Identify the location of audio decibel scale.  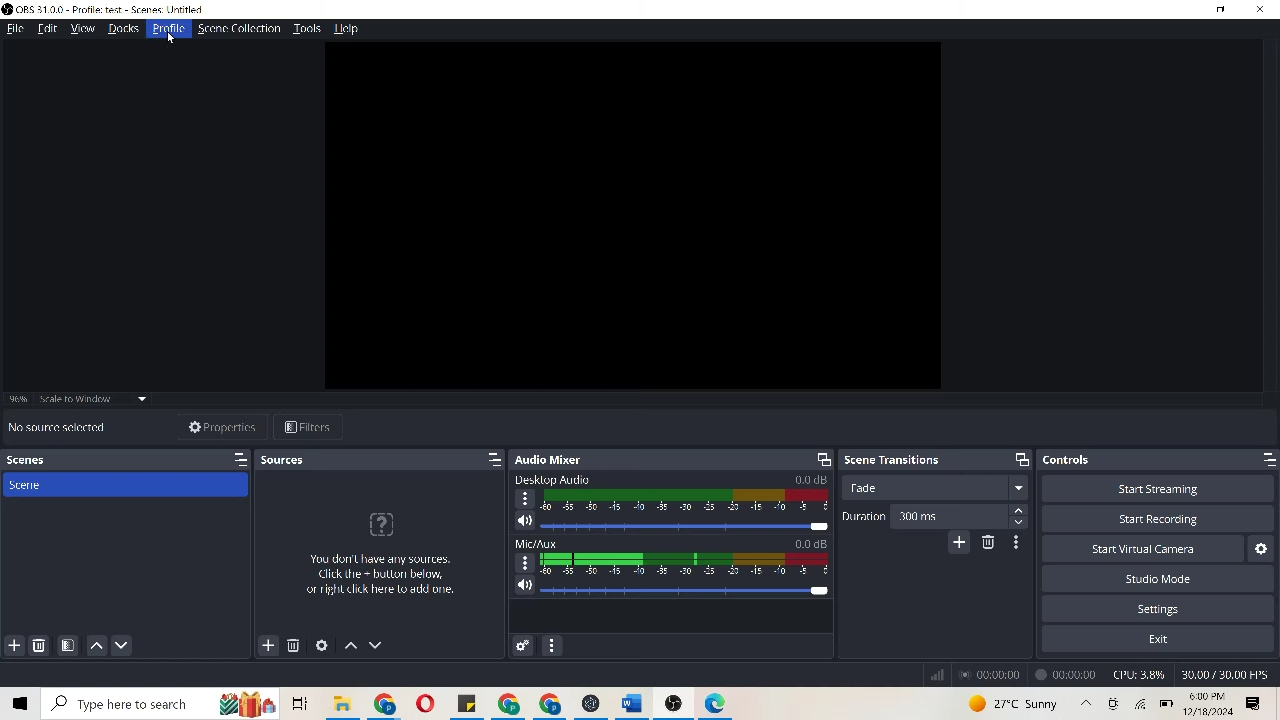
(684, 501).